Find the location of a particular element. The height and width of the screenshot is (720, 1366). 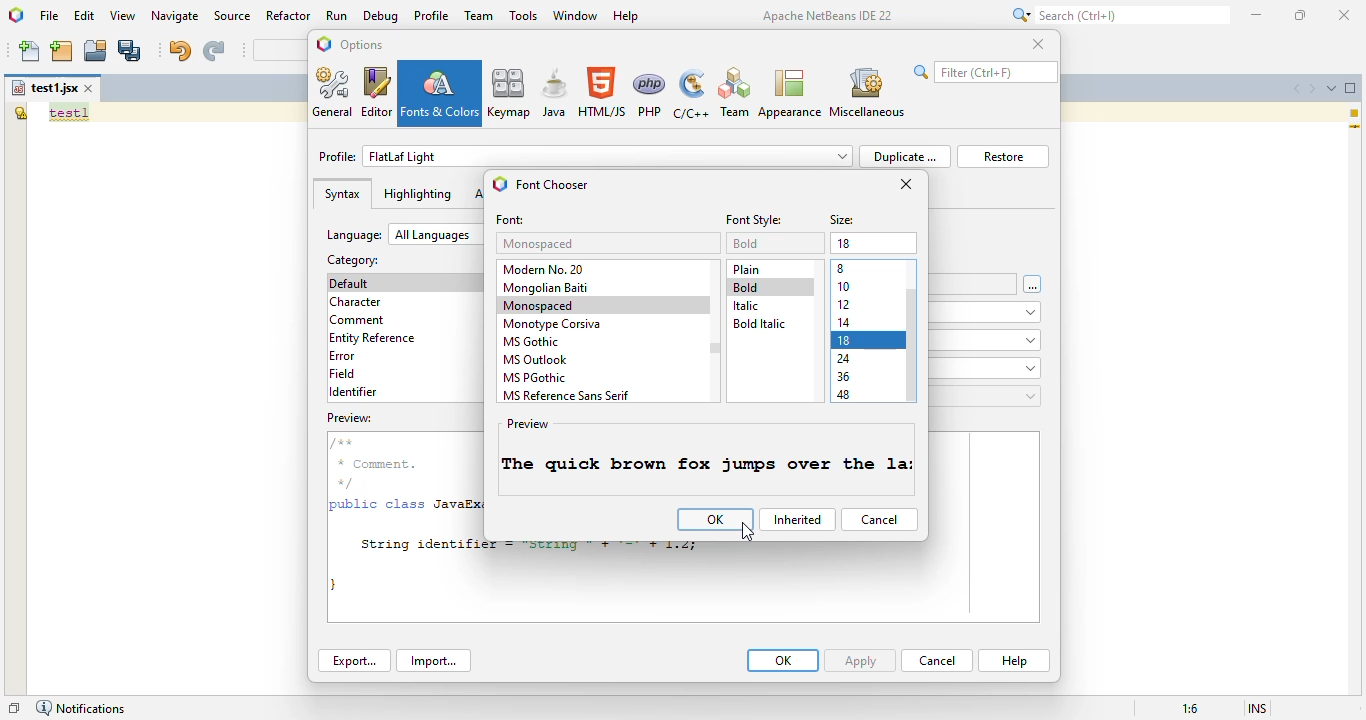

PHP is located at coordinates (651, 93).